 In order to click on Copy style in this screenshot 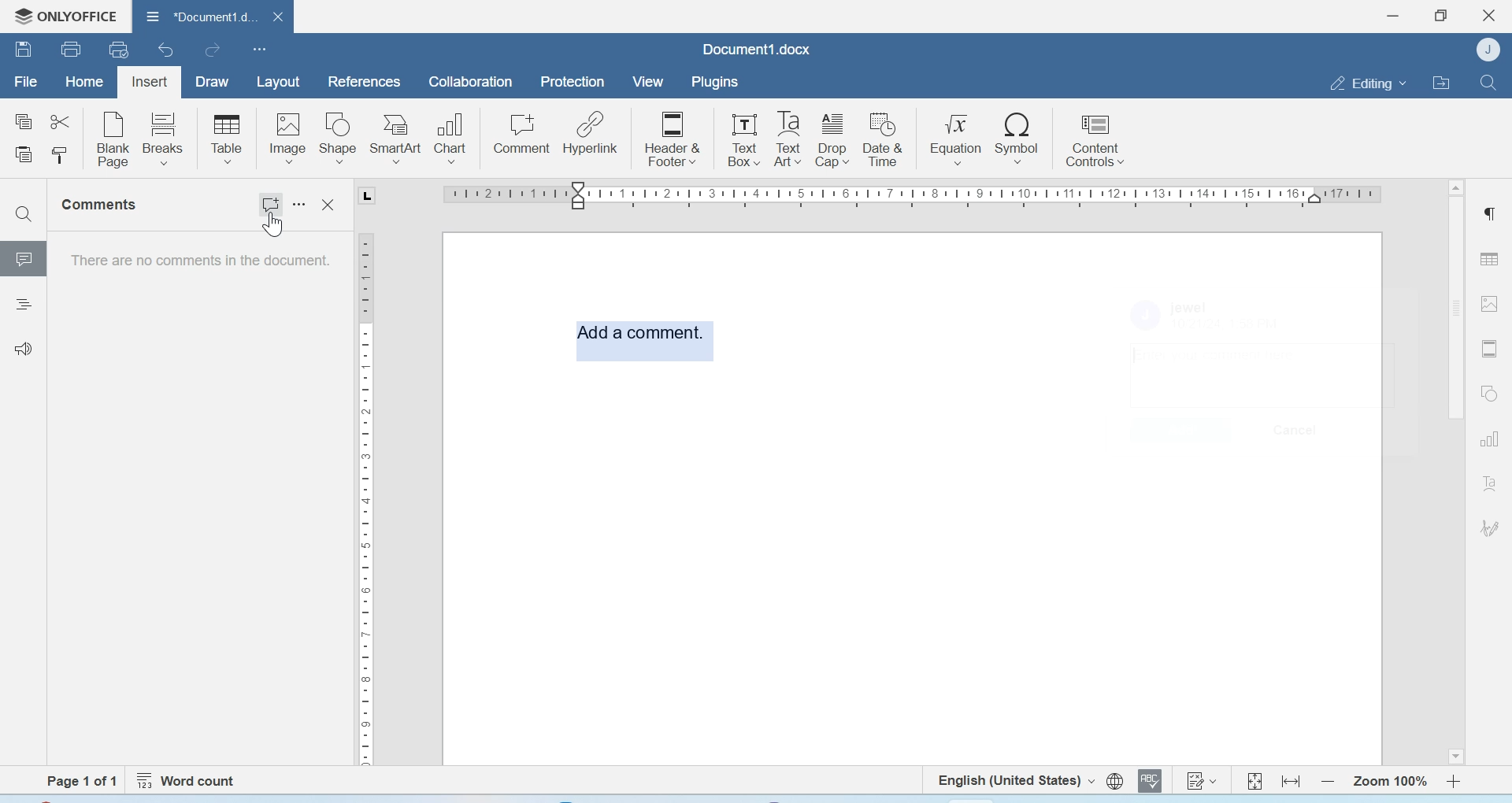, I will do `click(59, 156)`.